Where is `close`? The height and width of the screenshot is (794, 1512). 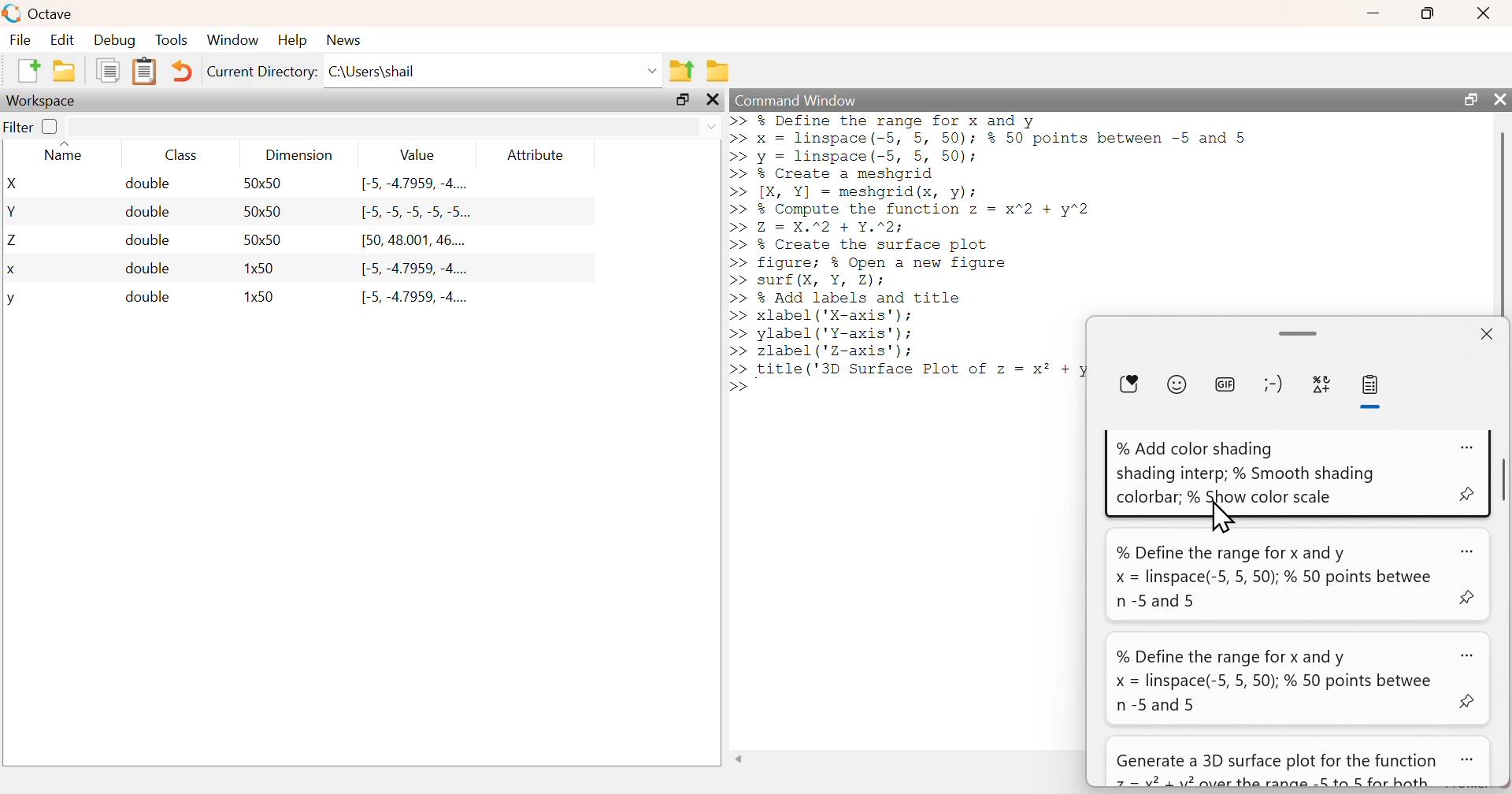 close is located at coordinates (1488, 333).